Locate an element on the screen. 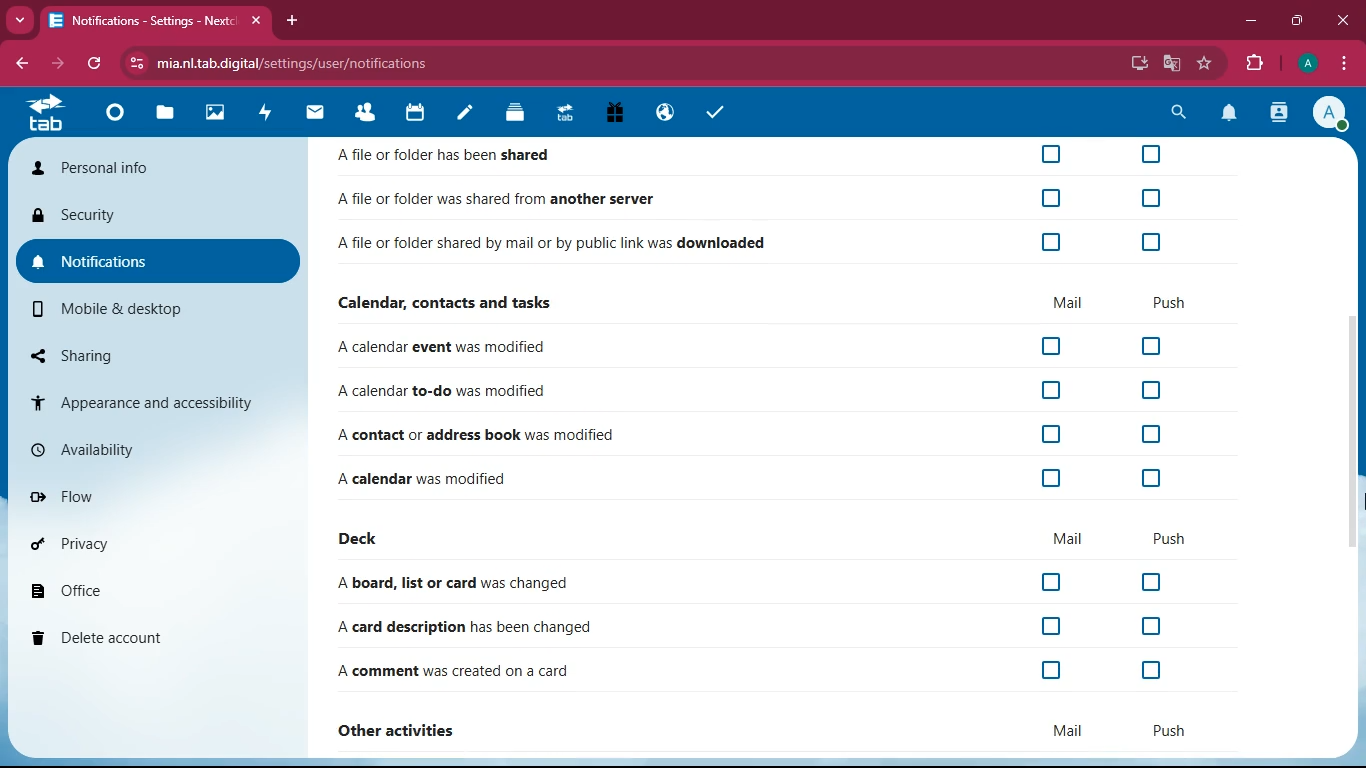  office is located at coordinates (155, 592).